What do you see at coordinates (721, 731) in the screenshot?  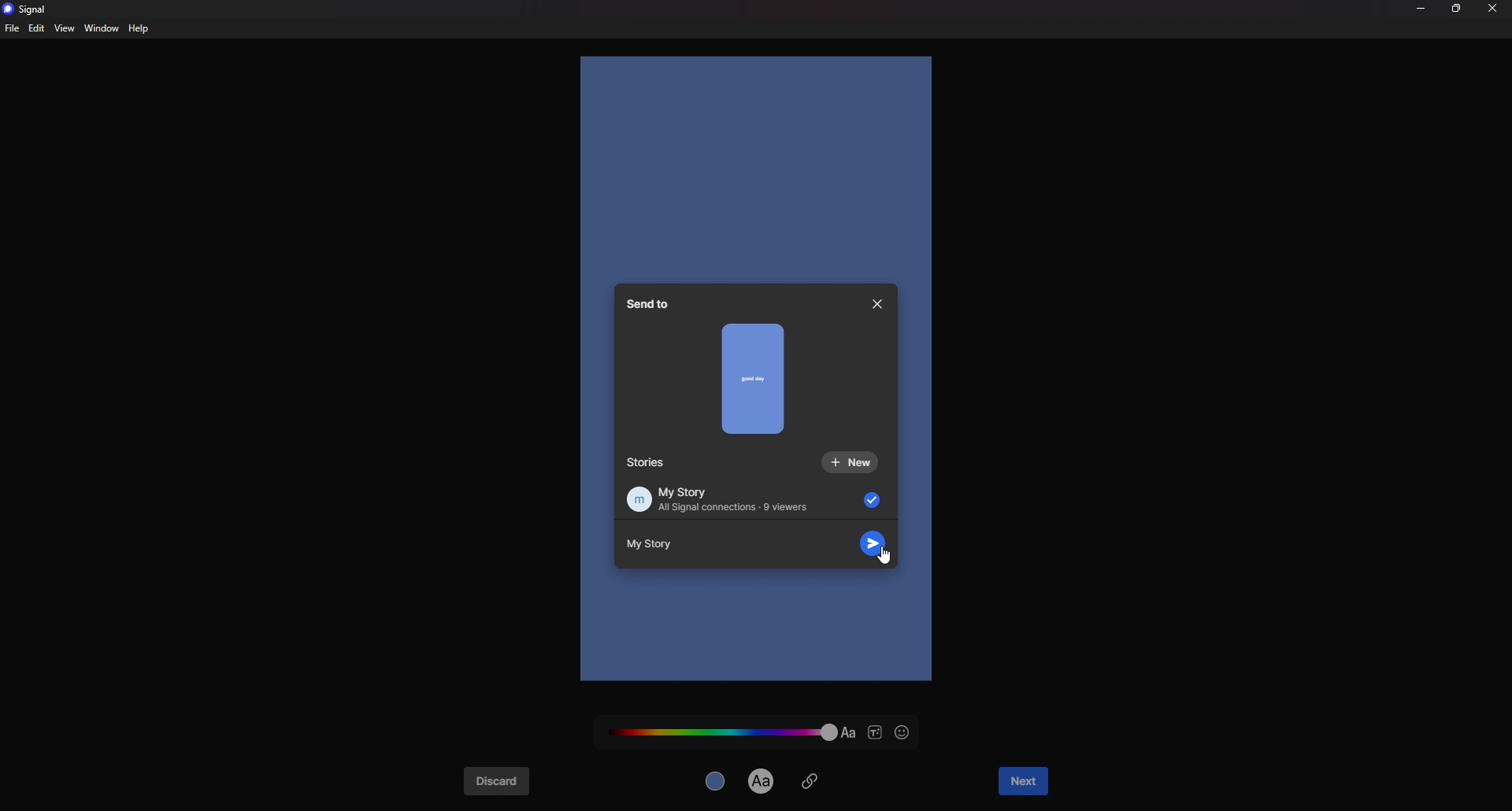 I see `text color` at bounding box center [721, 731].